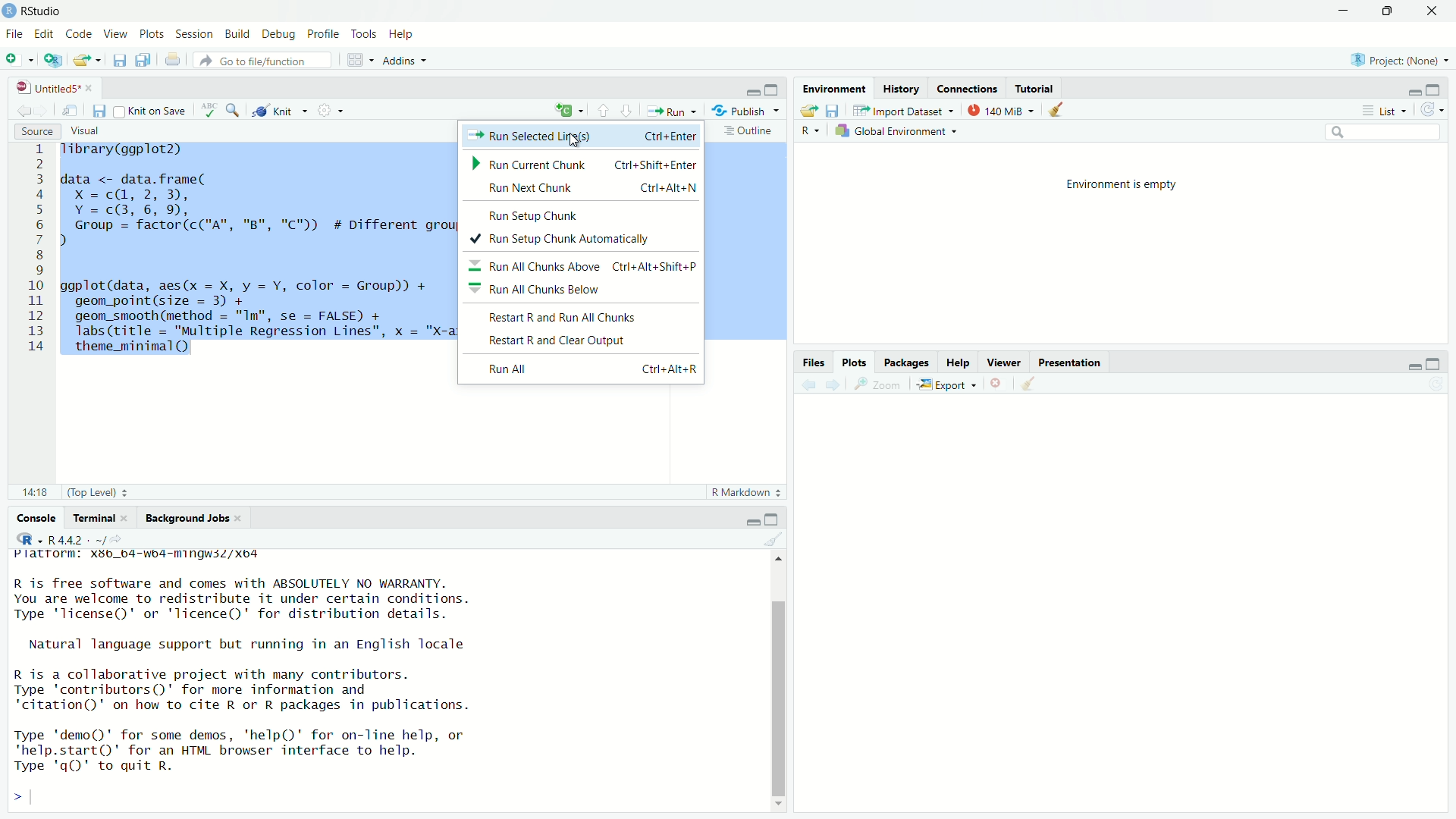 The image size is (1456, 819). Describe the element at coordinates (72, 111) in the screenshot. I see `move` at that location.